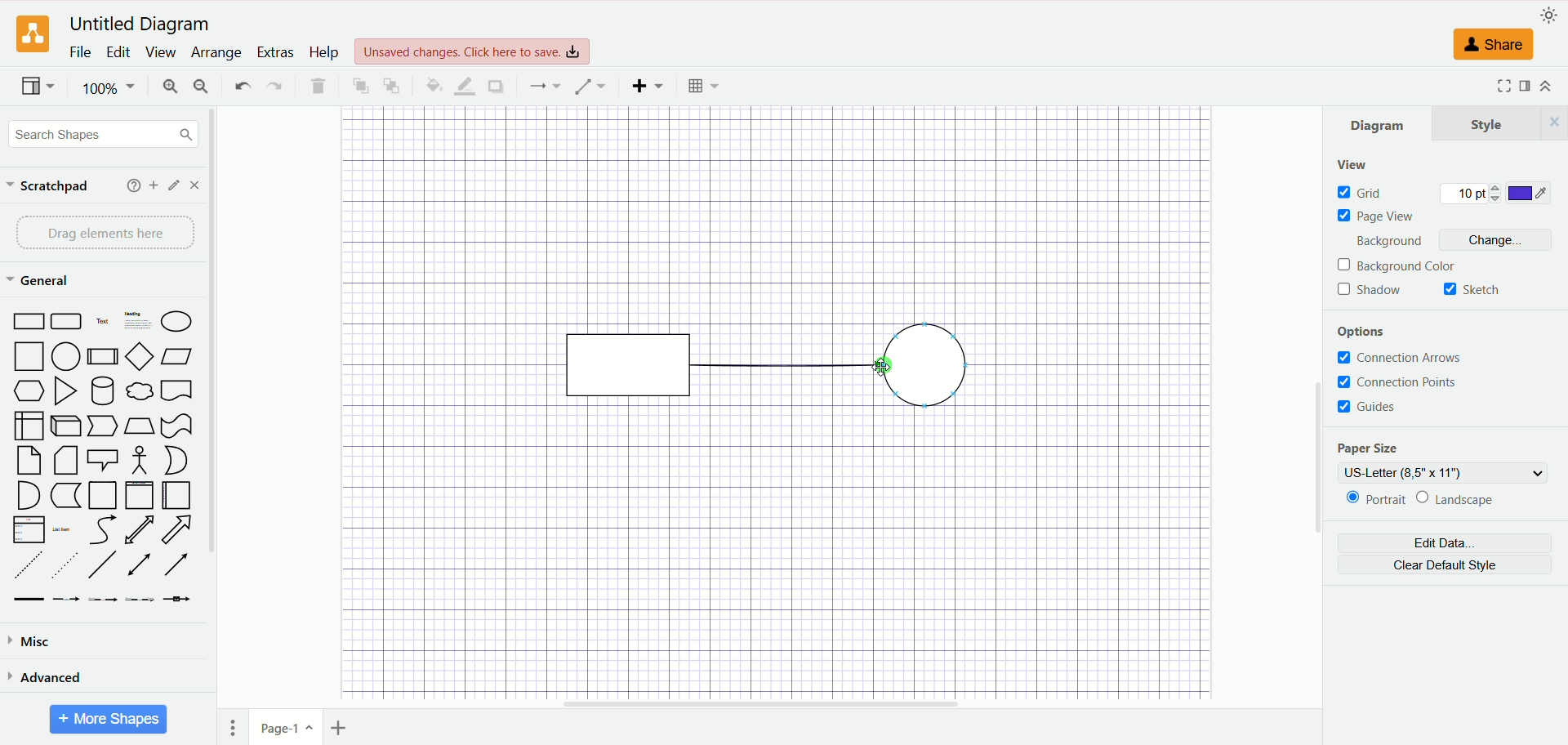 This screenshot has height=745, width=1568. I want to click on connection, so click(545, 85).